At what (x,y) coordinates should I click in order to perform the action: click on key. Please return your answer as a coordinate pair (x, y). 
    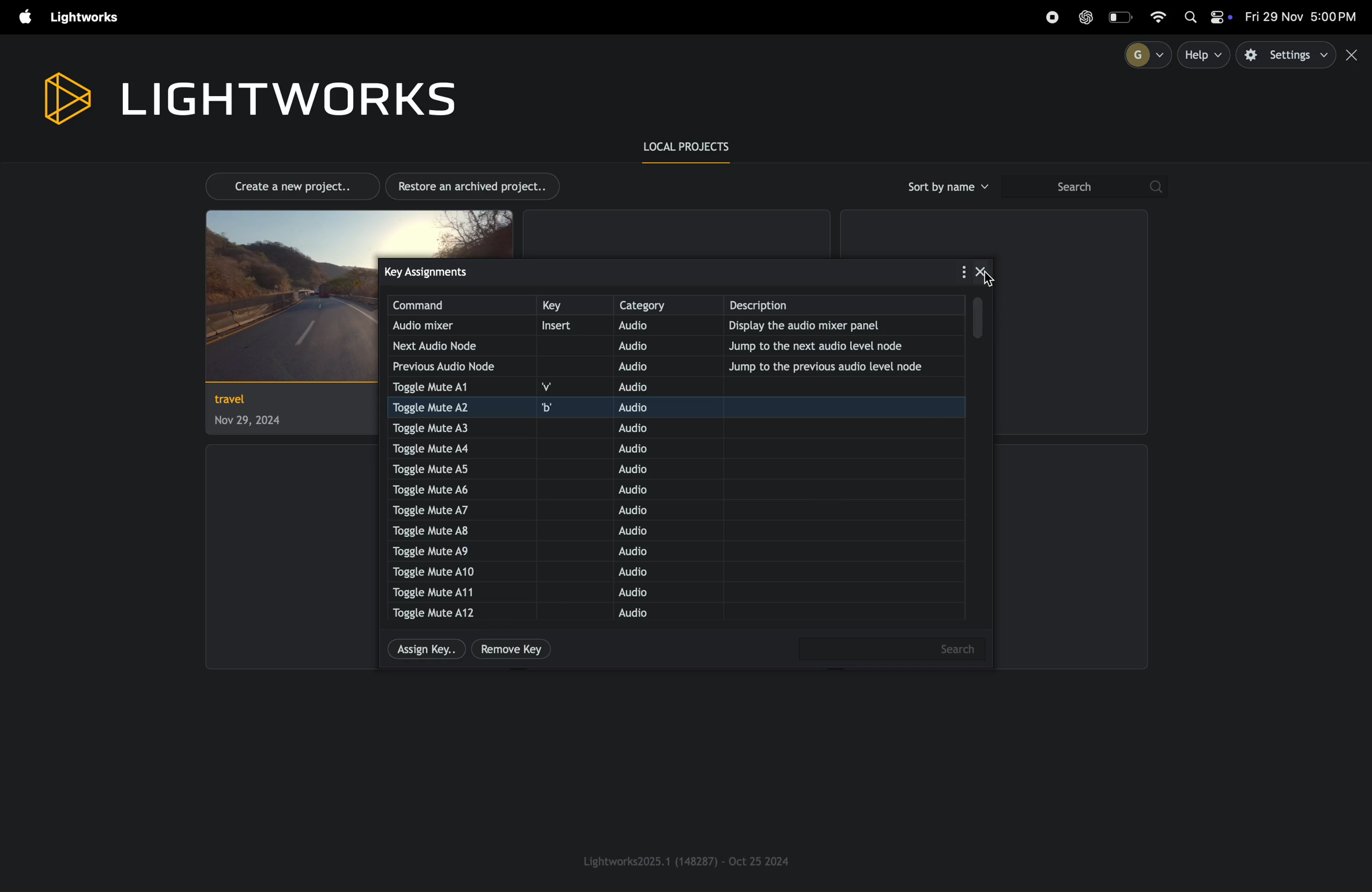
    Looking at the image, I should click on (571, 306).